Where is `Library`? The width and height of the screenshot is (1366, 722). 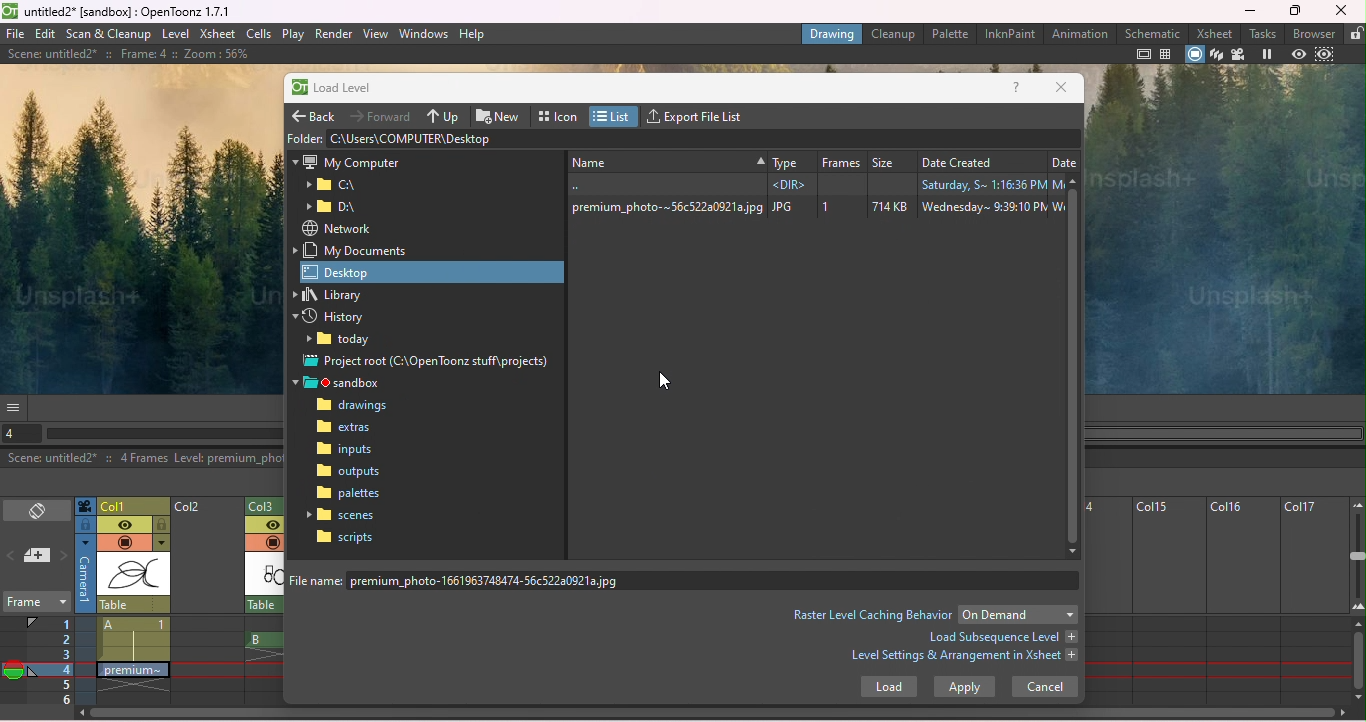
Library is located at coordinates (339, 295).